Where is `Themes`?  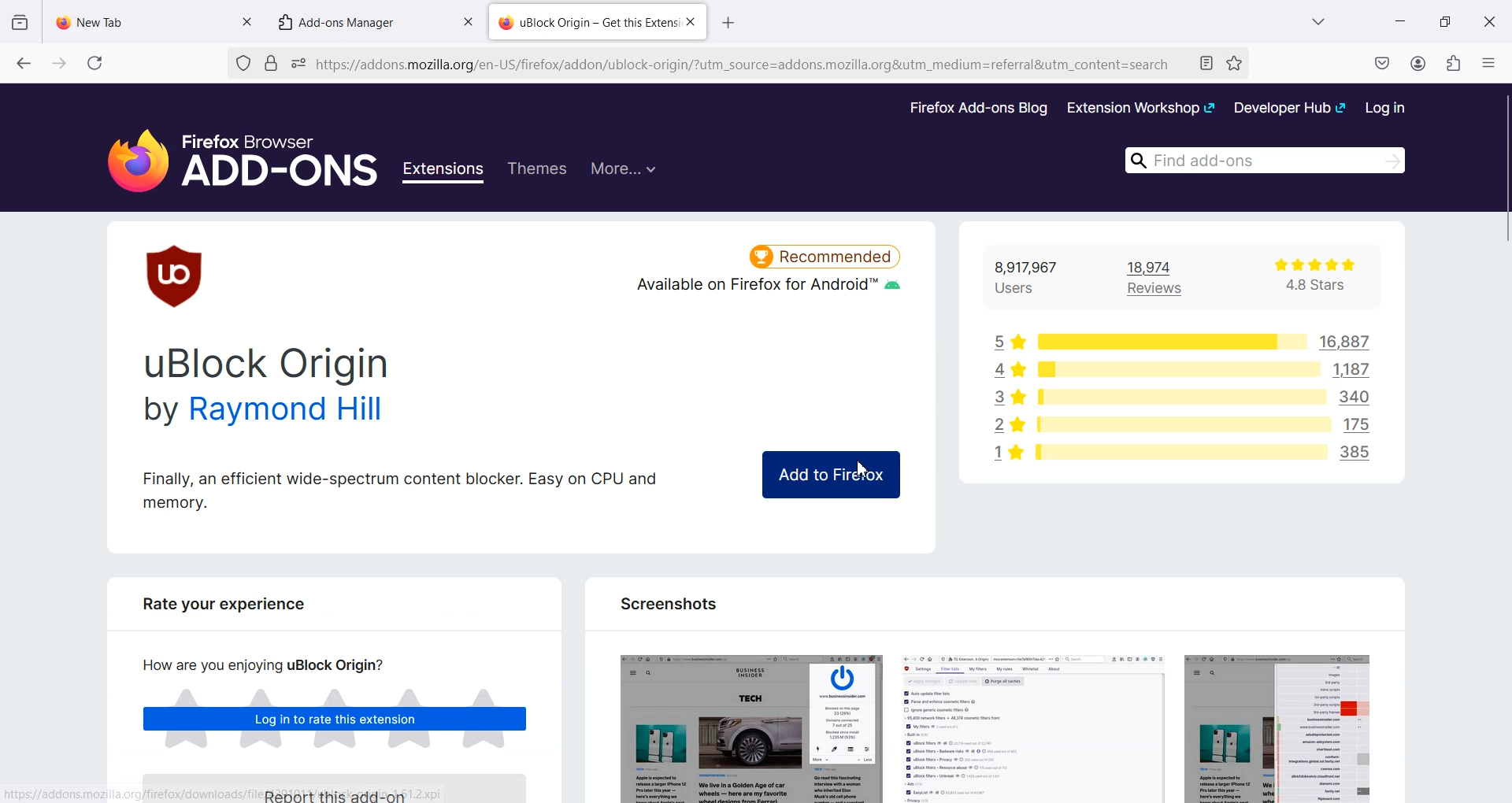
Themes is located at coordinates (536, 169).